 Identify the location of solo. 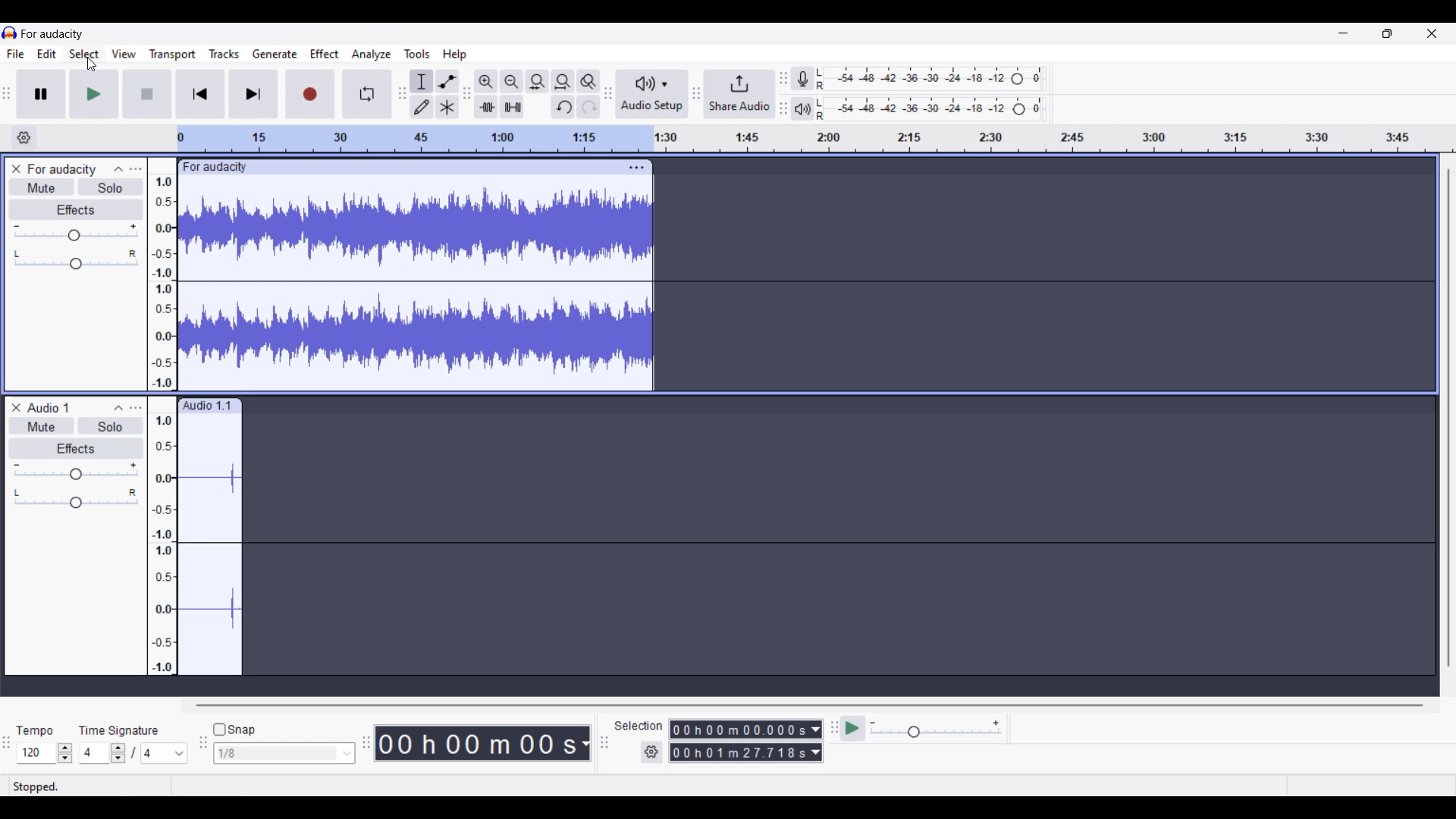
(111, 425).